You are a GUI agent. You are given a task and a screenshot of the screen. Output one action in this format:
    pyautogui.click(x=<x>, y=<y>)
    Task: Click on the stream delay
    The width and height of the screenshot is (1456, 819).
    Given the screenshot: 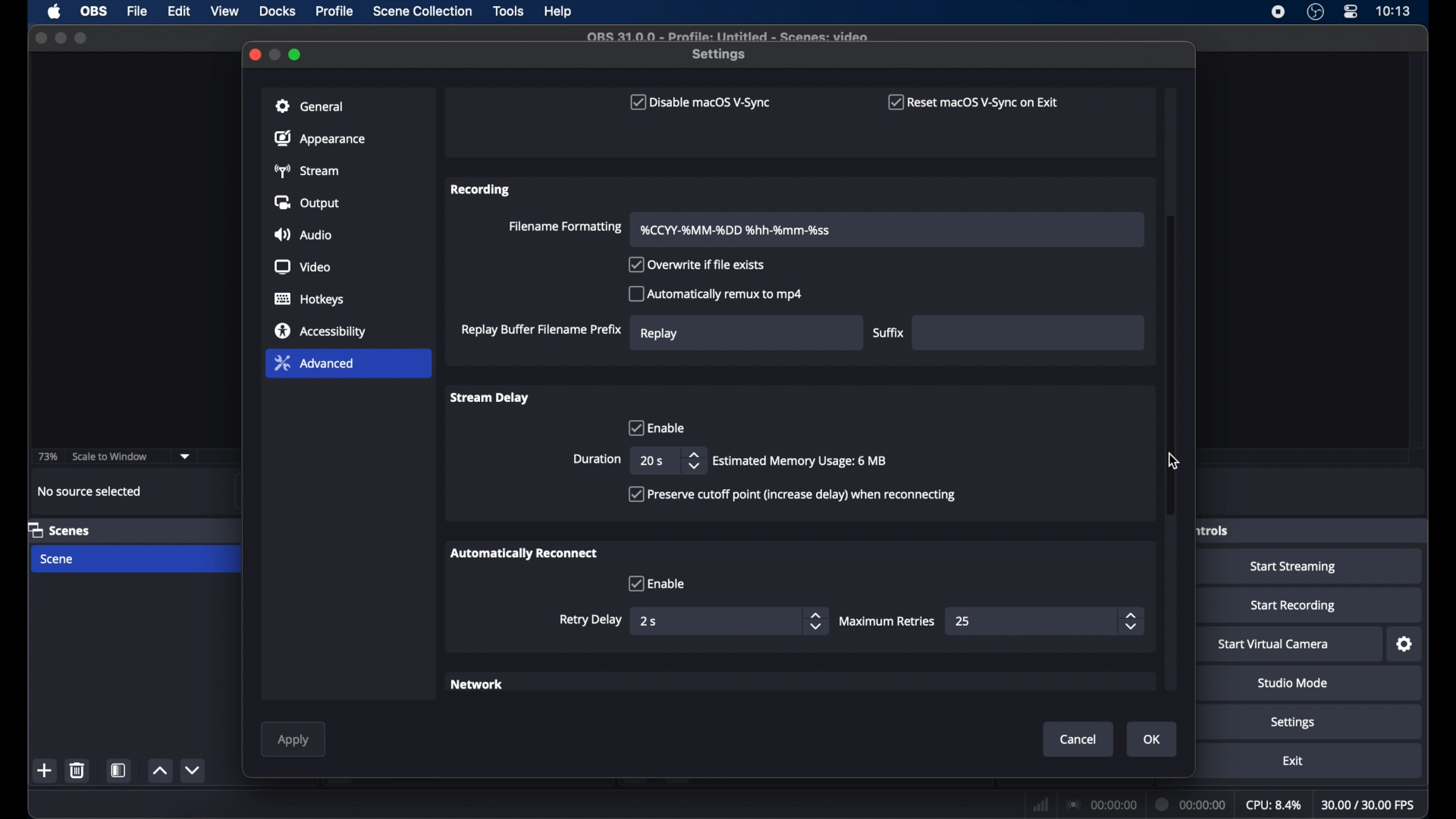 What is the action you would take?
    pyautogui.click(x=488, y=397)
    